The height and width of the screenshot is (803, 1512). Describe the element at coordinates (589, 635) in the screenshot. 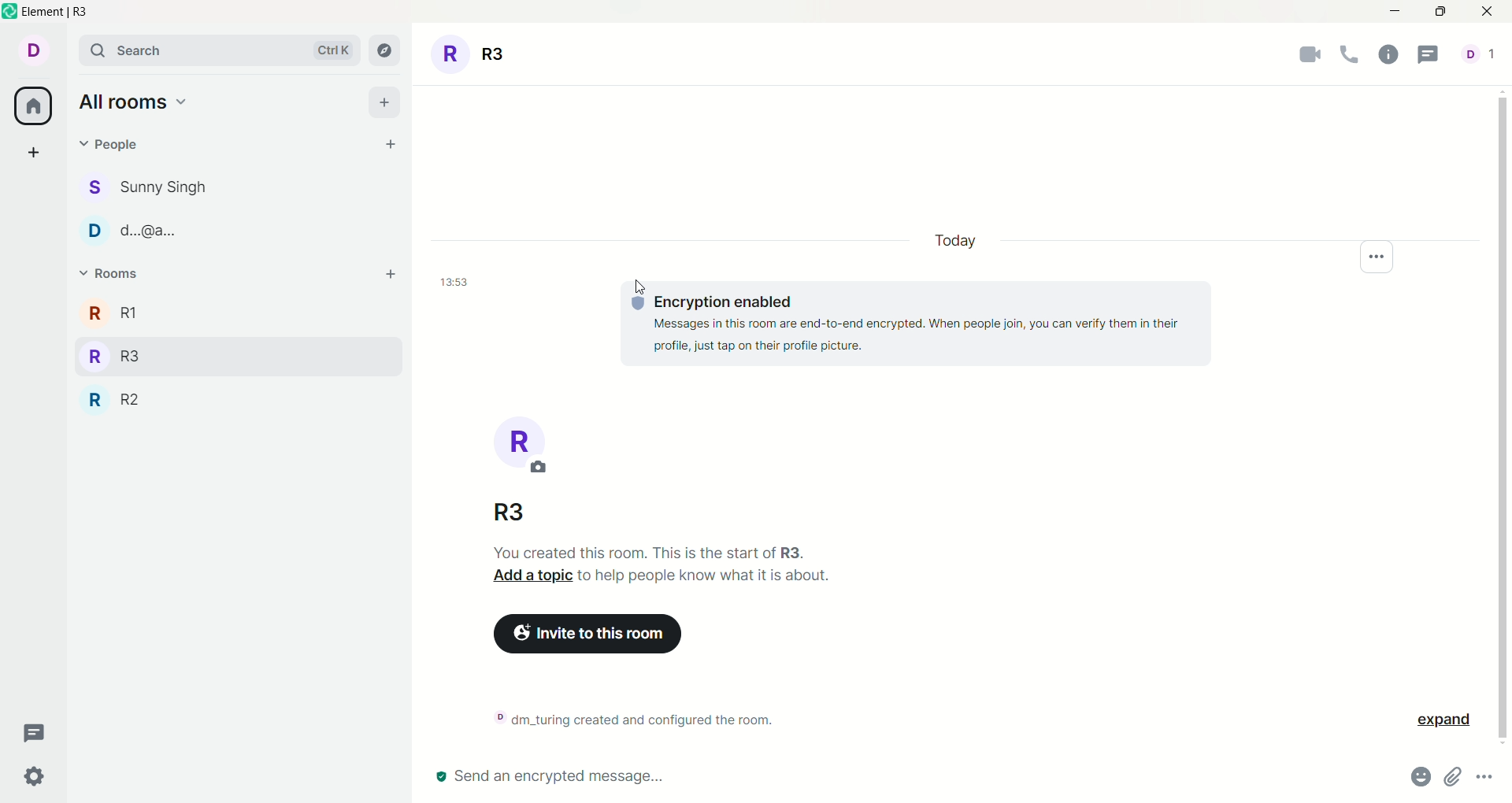

I see `invite to this room` at that location.